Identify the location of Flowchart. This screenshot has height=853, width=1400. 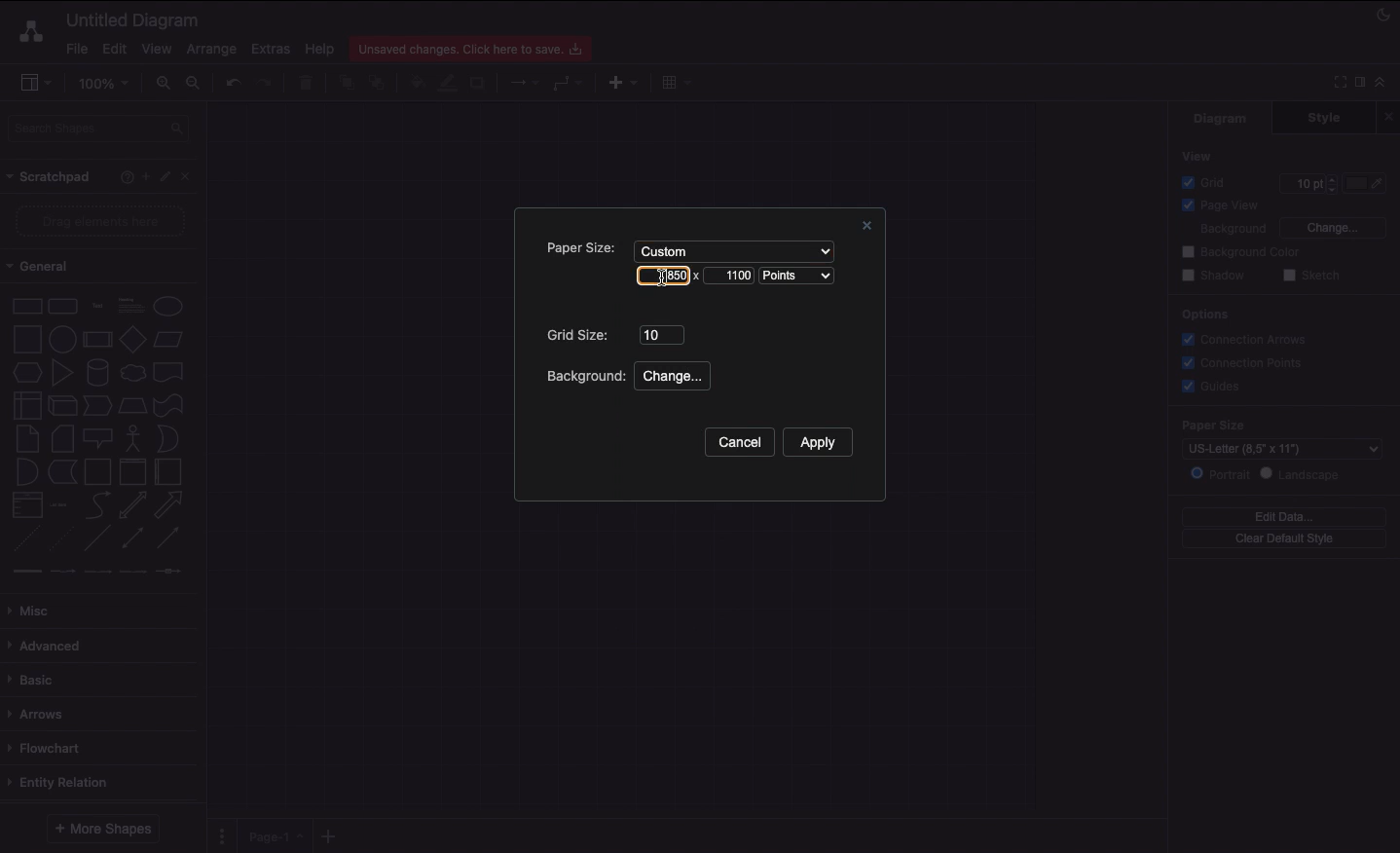
(48, 748).